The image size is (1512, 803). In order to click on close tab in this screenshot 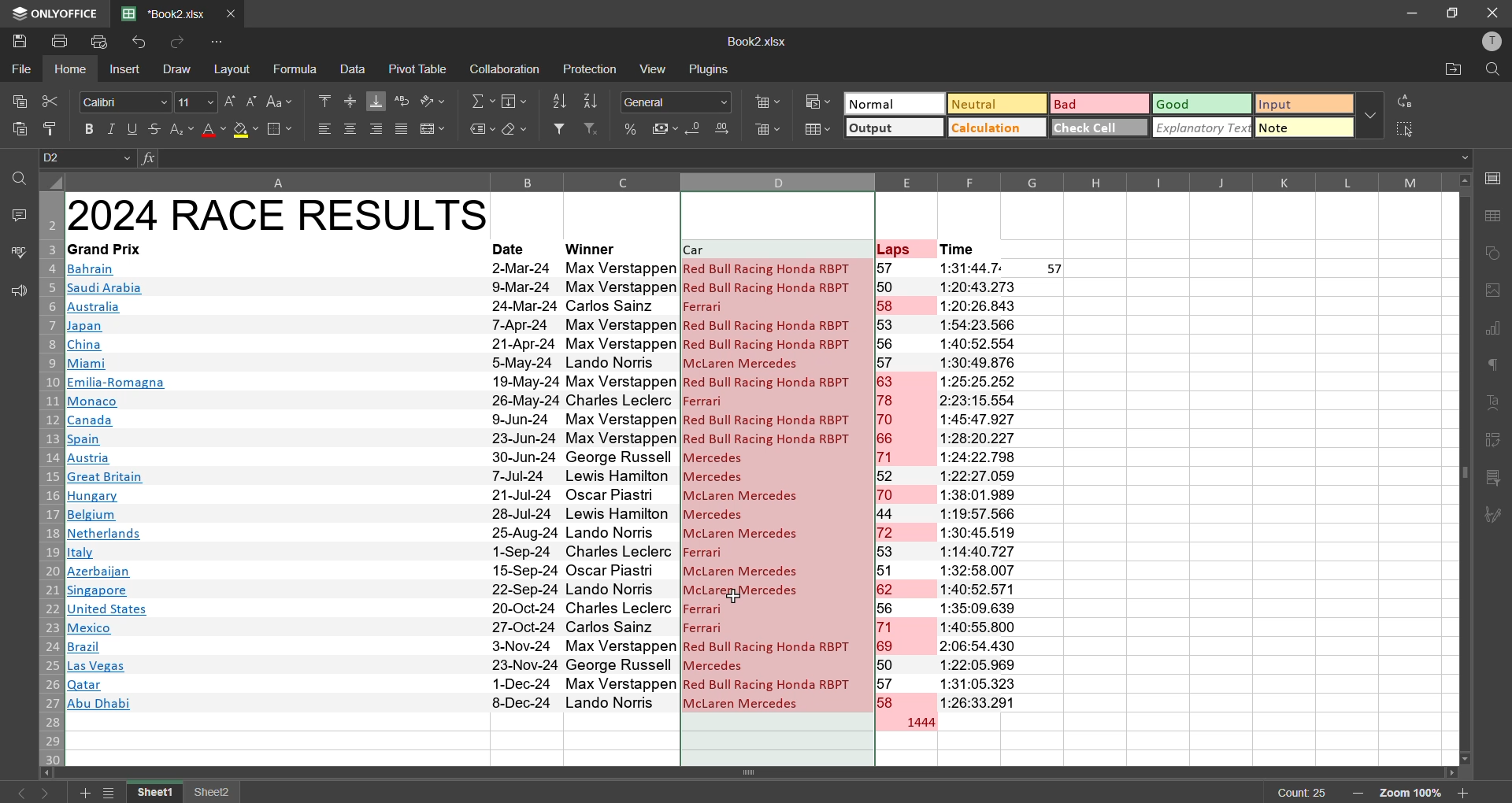, I will do `click(235, 12)`.